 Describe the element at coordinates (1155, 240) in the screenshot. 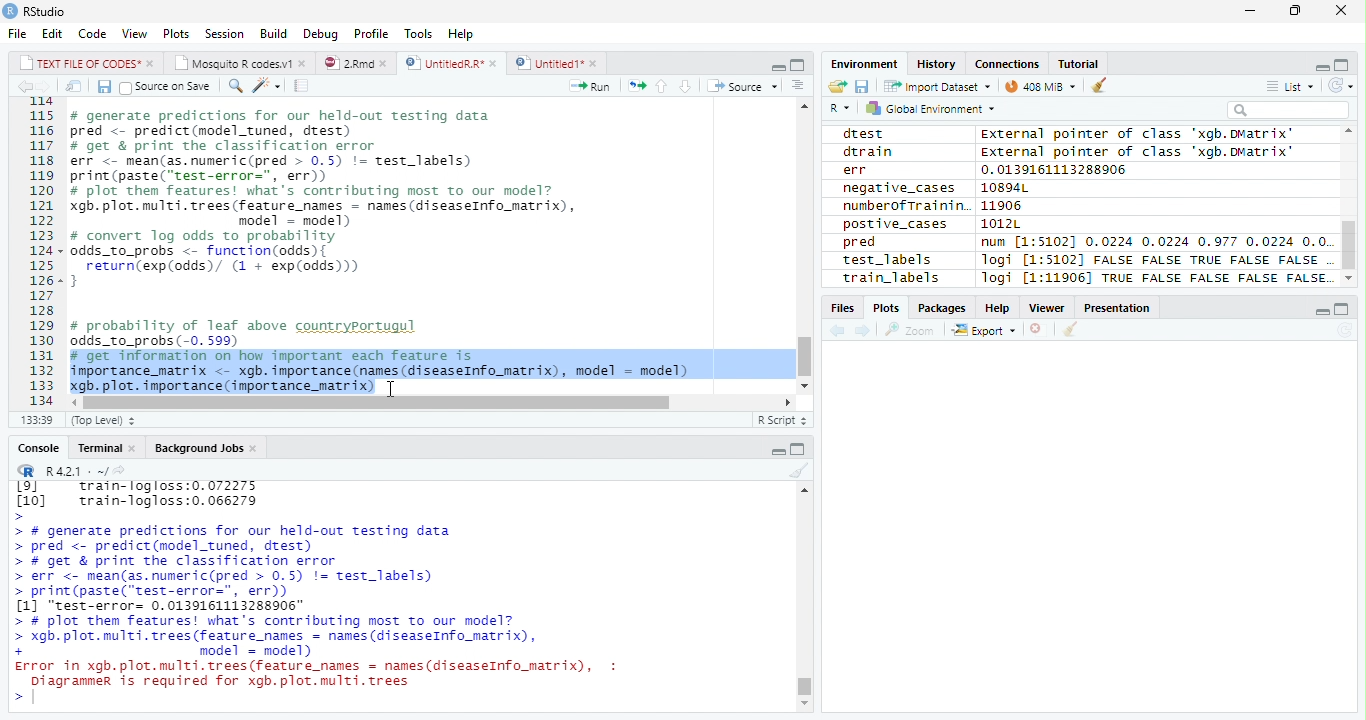

I see `num [1:51021 0.0224 0.0224 0.977 0.0224 0.0.` at that location.